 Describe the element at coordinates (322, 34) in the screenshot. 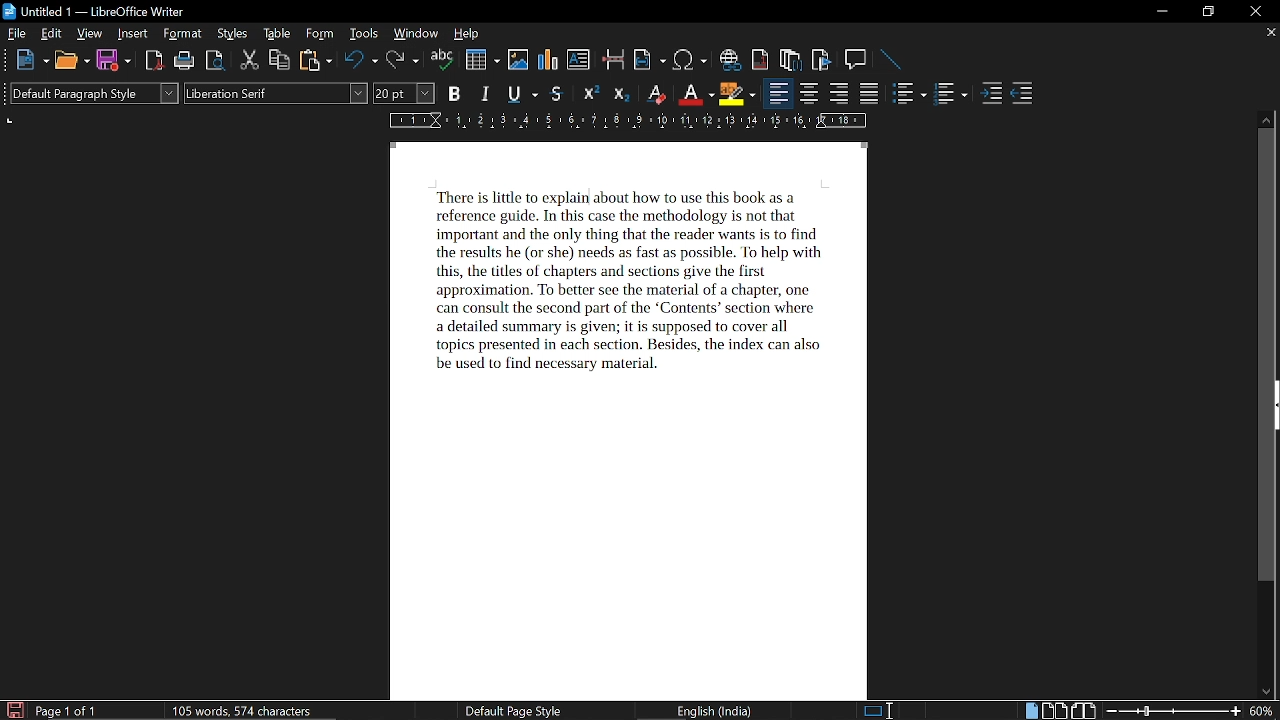

I see `form` at that location.